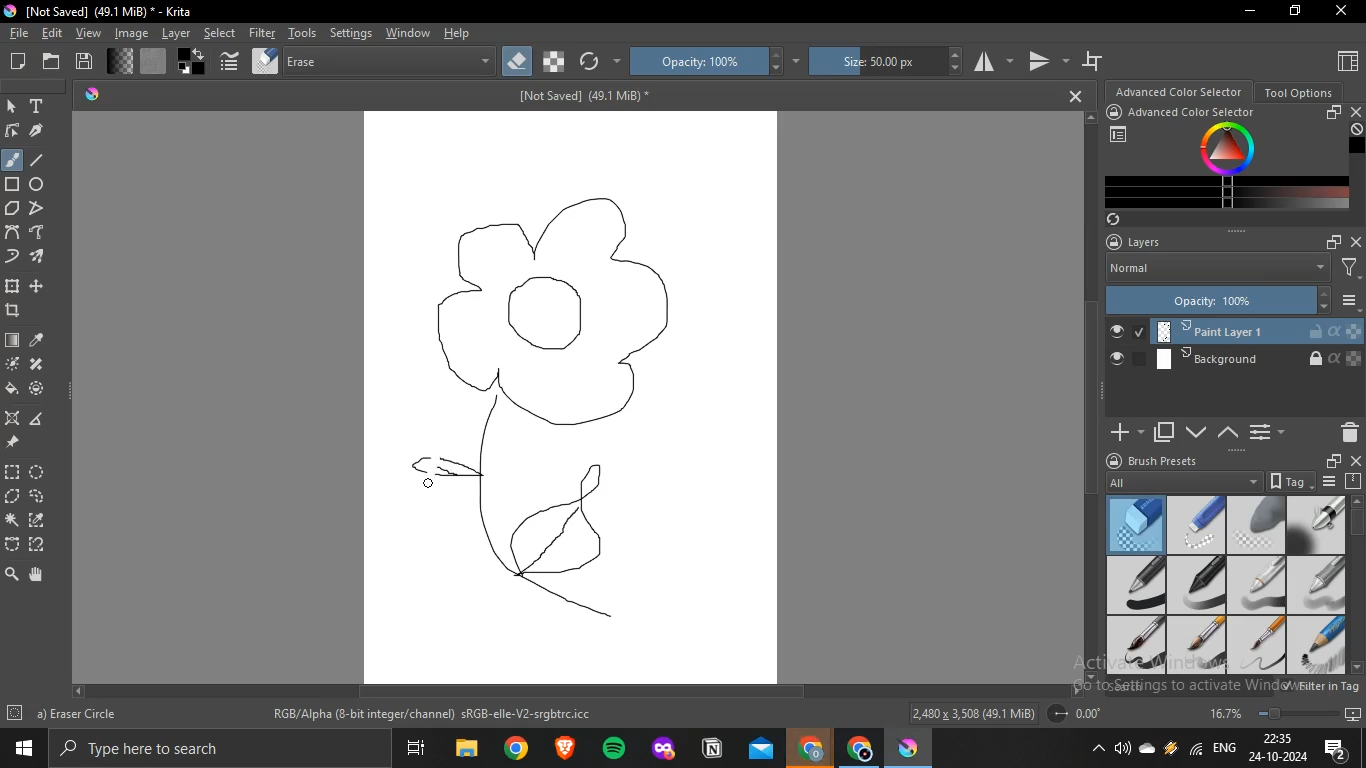 Image resolution: width=1366 pixels, height=768 pixels. What do you see at coordinates (9, 10) in the screenshot?
I see `logo` at bounding box center [9, 10].